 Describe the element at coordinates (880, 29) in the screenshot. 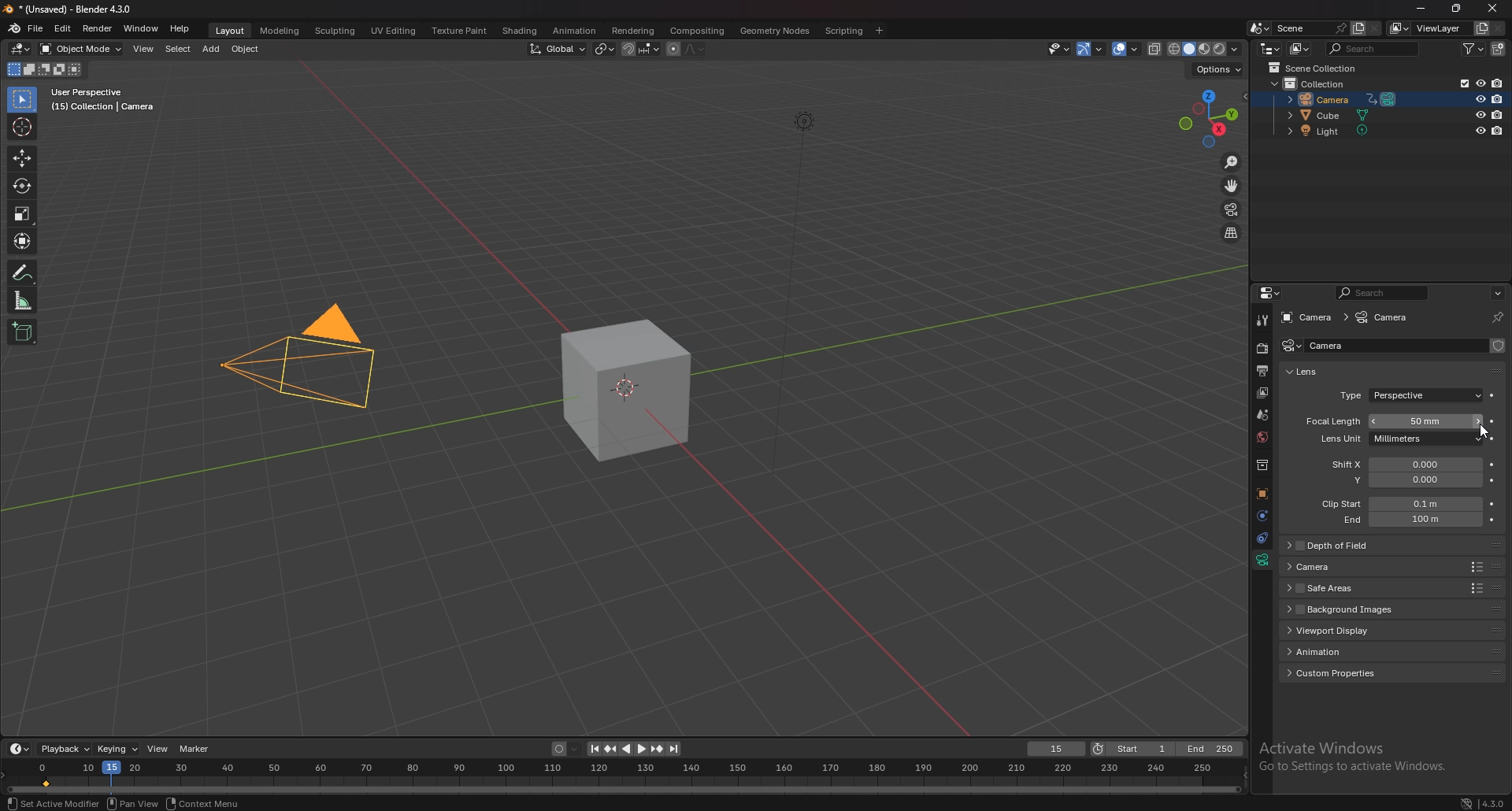

I see `add workspace` at that location.